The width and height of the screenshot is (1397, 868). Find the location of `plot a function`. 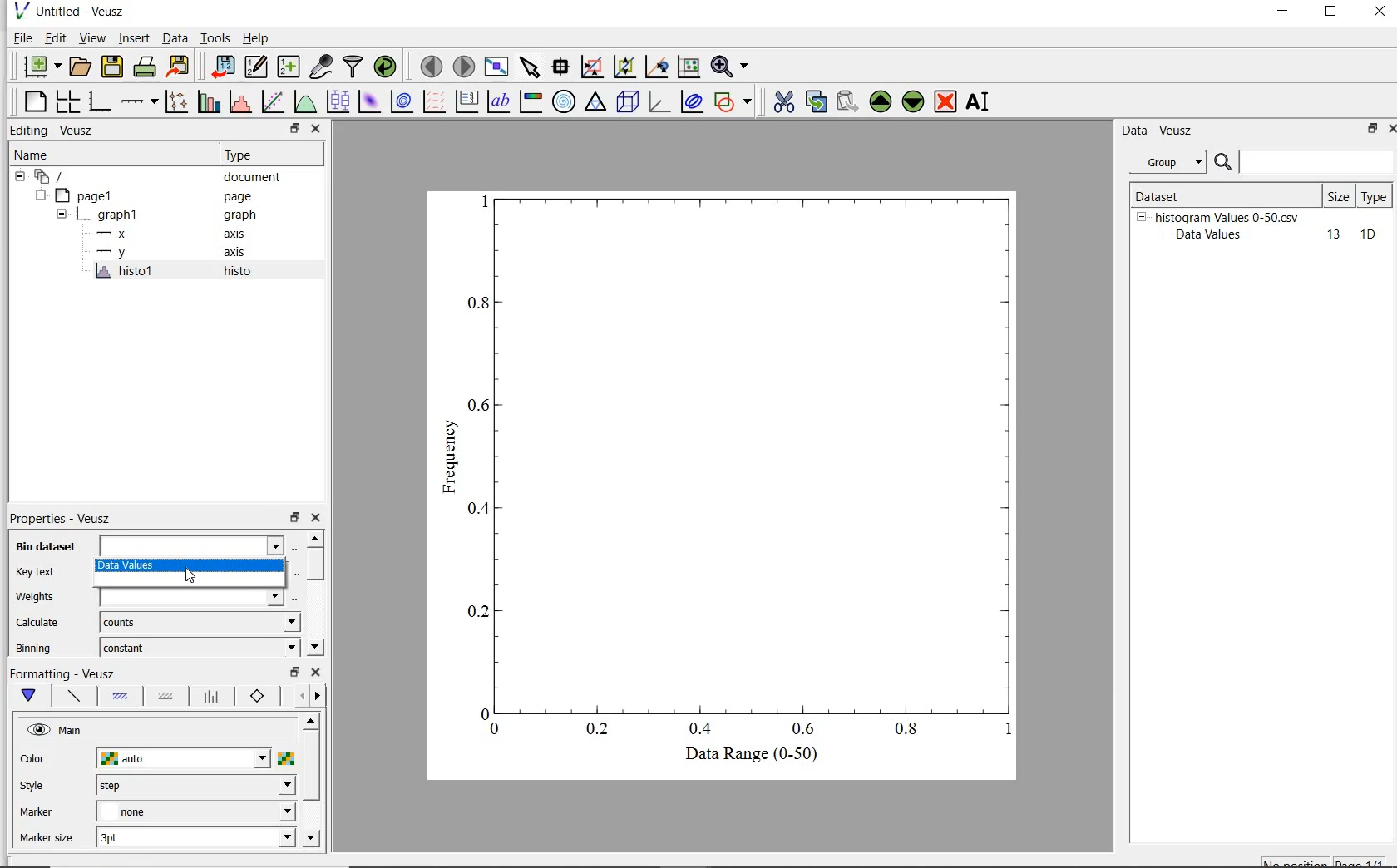

plot a function is located at coordinates (304, 101).